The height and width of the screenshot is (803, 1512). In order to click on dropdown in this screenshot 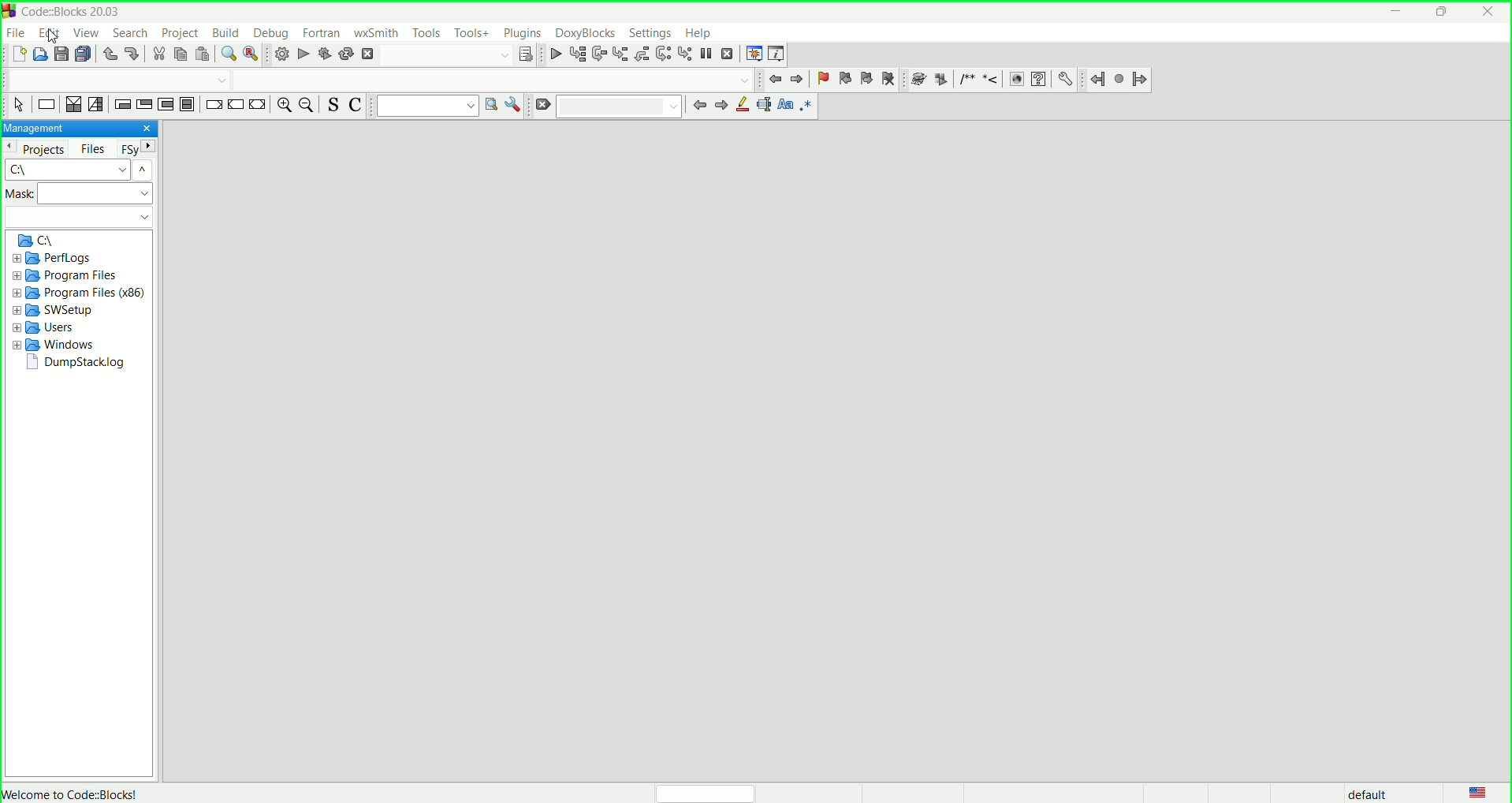, I will do `click(144, 219)`.